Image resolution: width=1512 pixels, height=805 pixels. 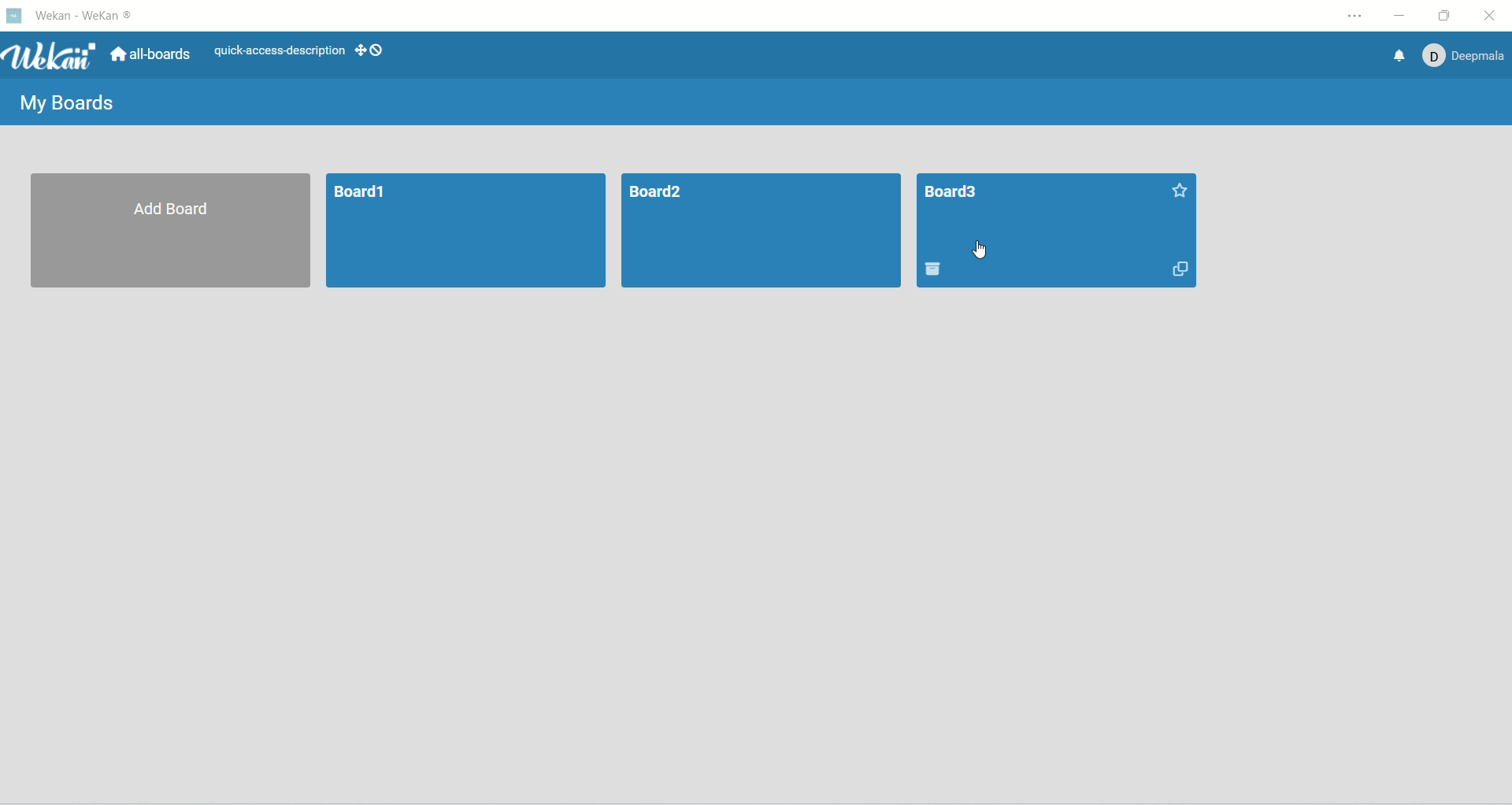 What do you see at coordinates (1174, 191) in the screenshot?
I see `favorite` at bounding box center [1174, 191].